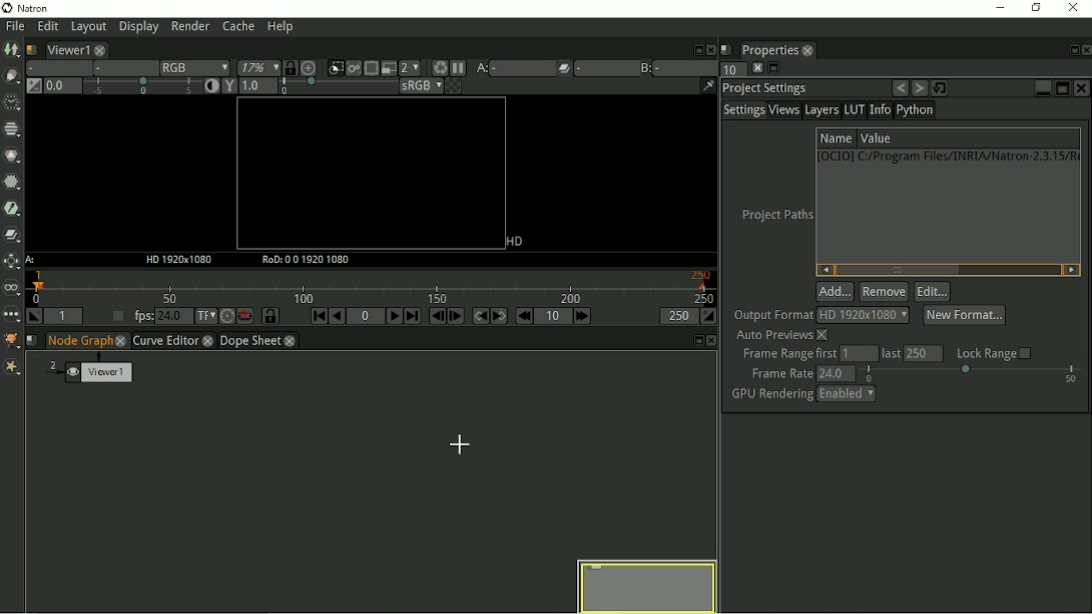 The image size is (1092, 614). What do you see at coordinates (101, 369) in the screenshot?
I see `Viewer1` at bounding box center [101, 369].